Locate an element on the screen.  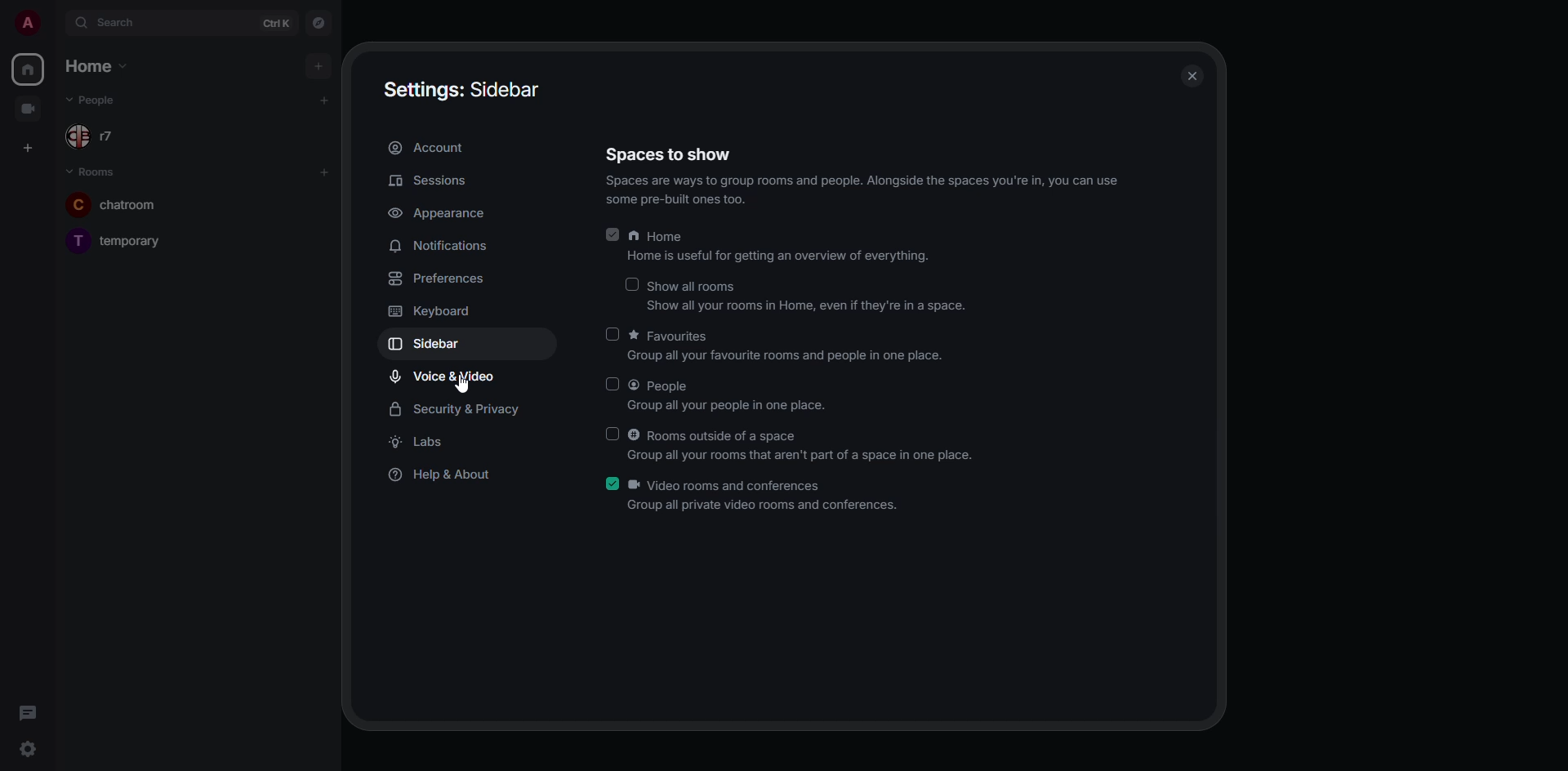
profile is located at coordinates (28, 24).